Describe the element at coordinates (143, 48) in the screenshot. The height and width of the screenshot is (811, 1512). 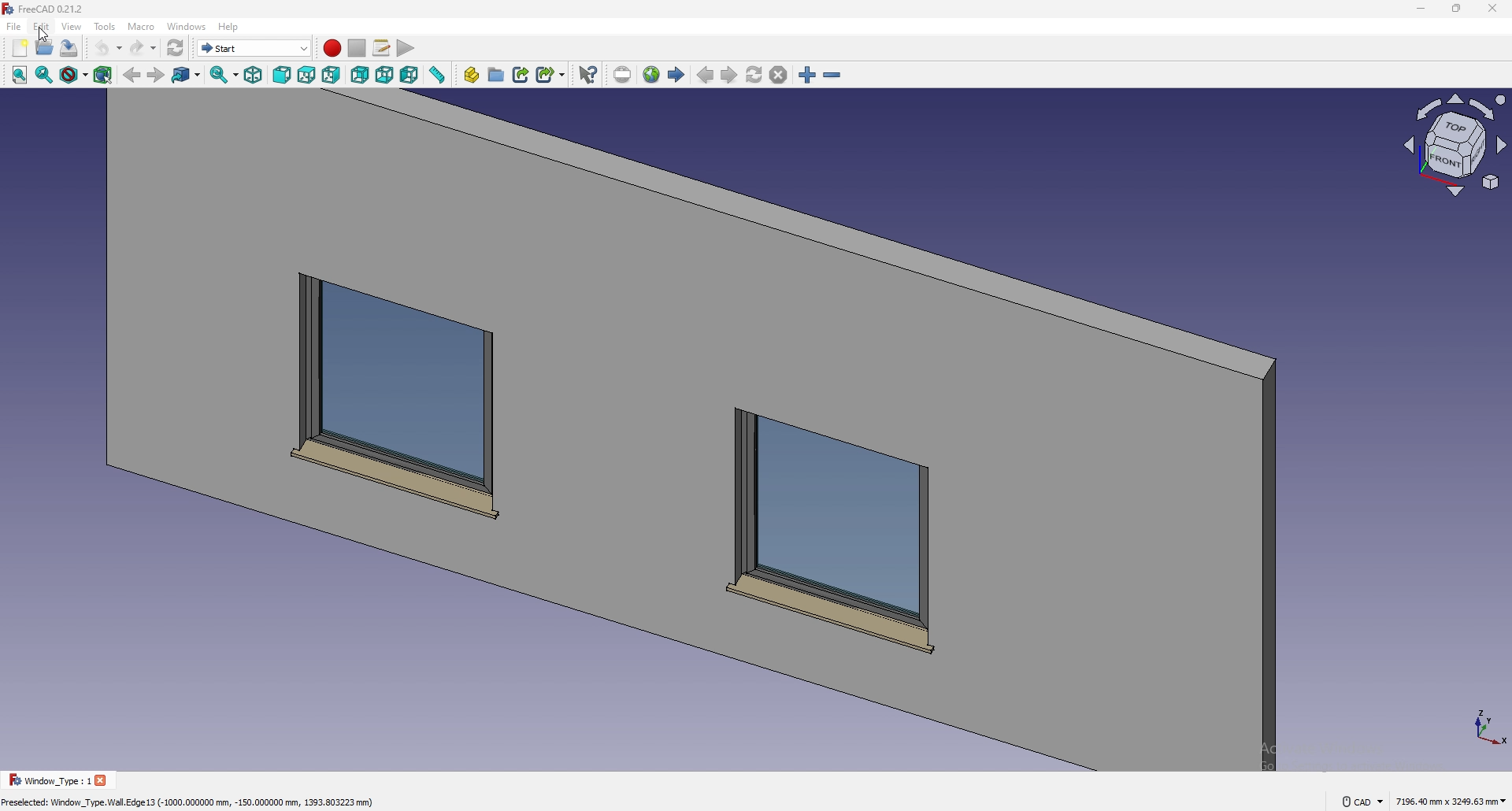
I see `redo` at that location.